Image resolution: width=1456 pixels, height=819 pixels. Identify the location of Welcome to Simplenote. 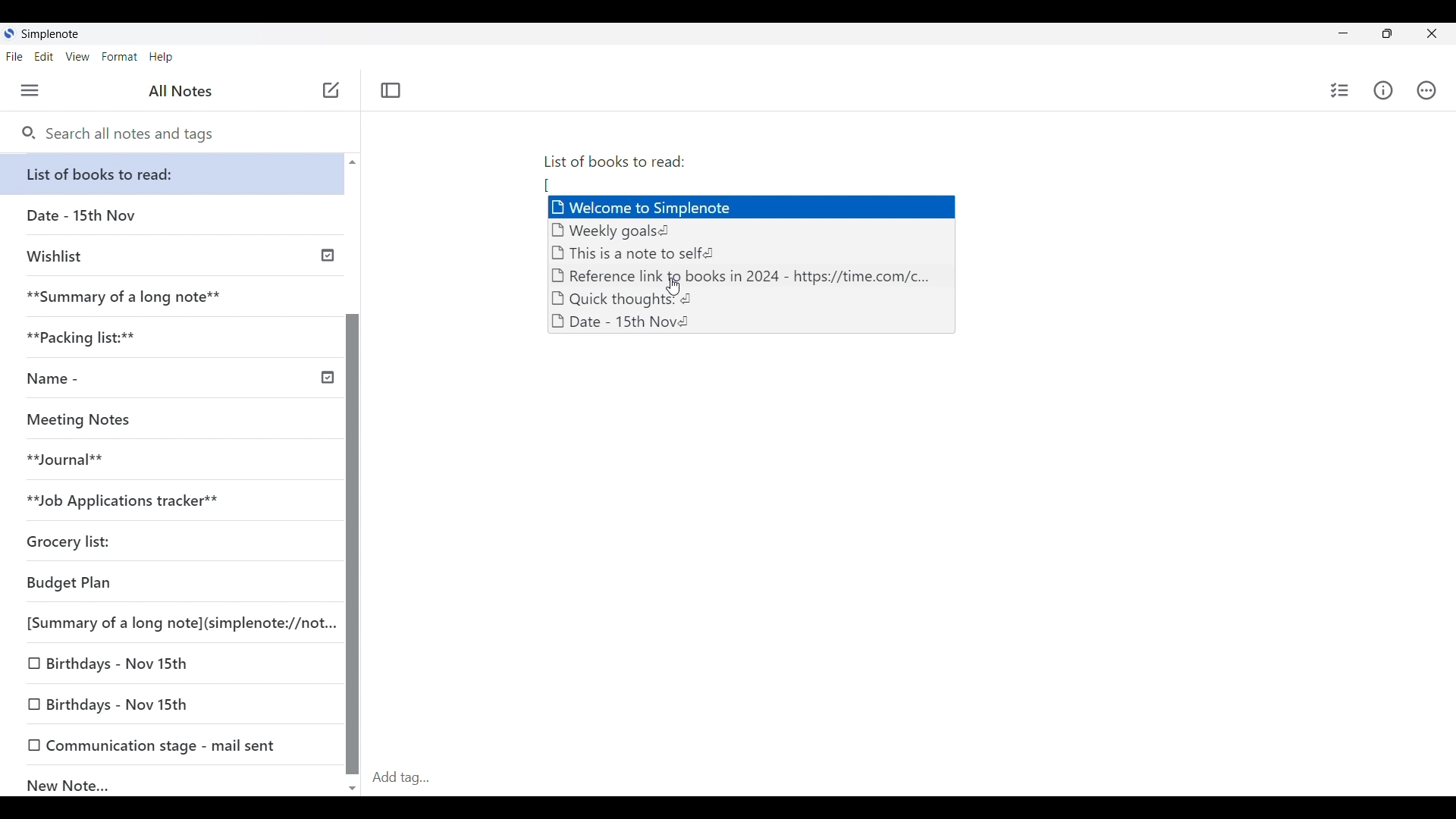
(754, 207).